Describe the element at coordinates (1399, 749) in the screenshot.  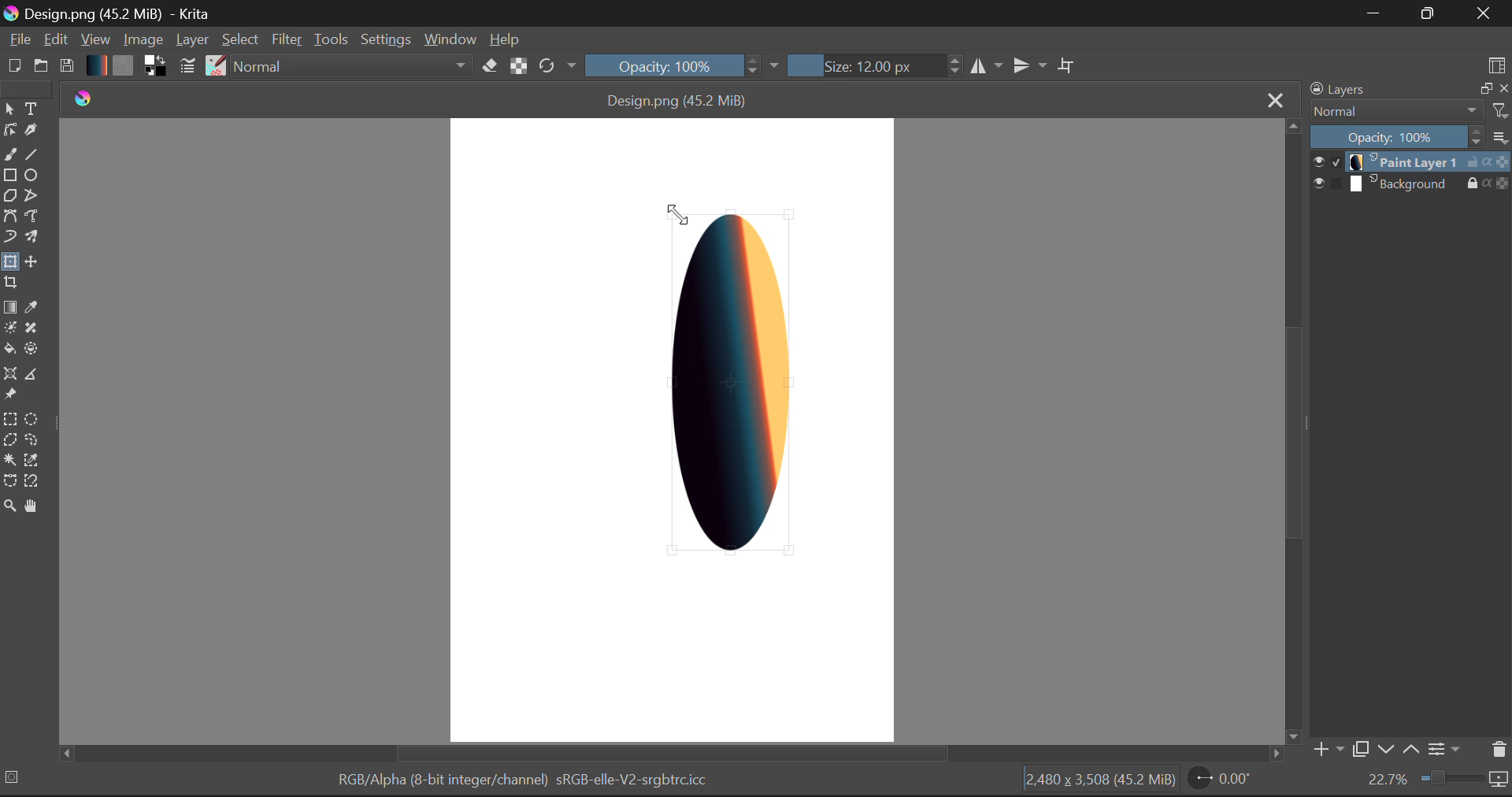
I see `Move Layer Up/Down` at that location.